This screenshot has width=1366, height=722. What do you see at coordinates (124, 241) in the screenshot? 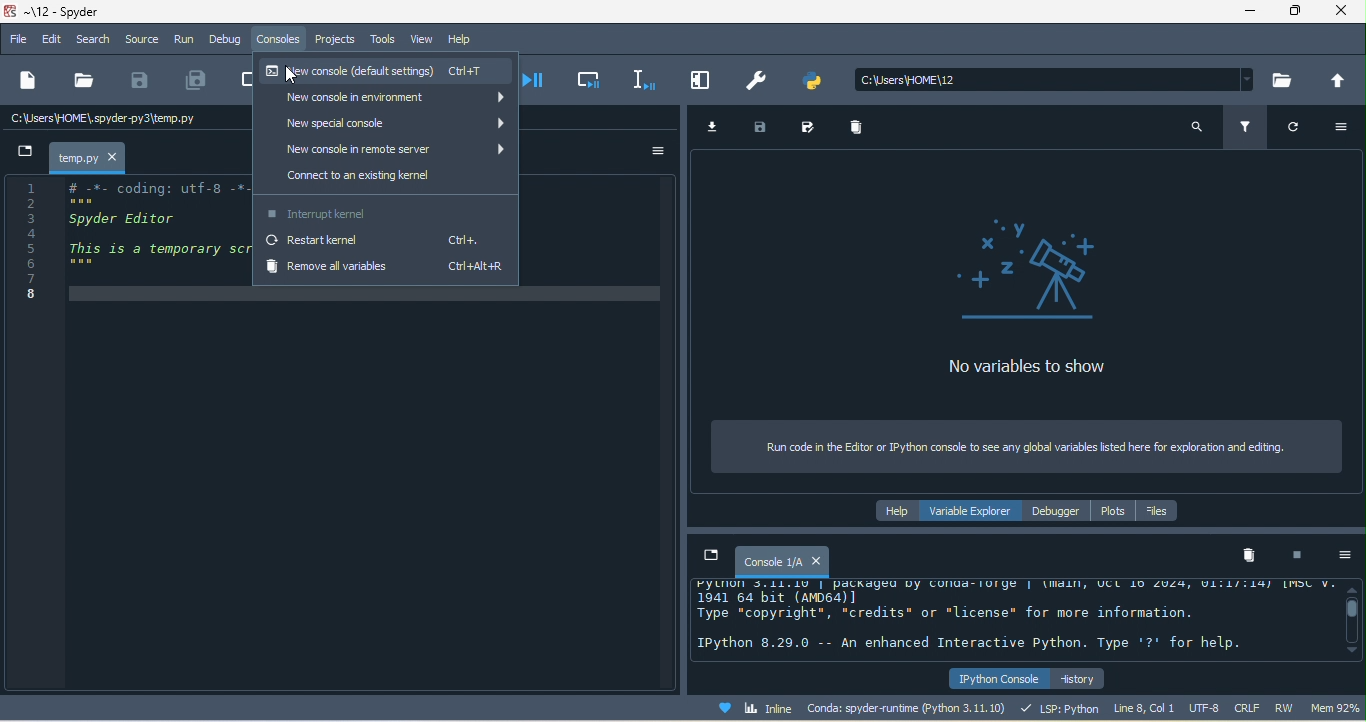
I see `editor pane` at bounding box center [124, 241].